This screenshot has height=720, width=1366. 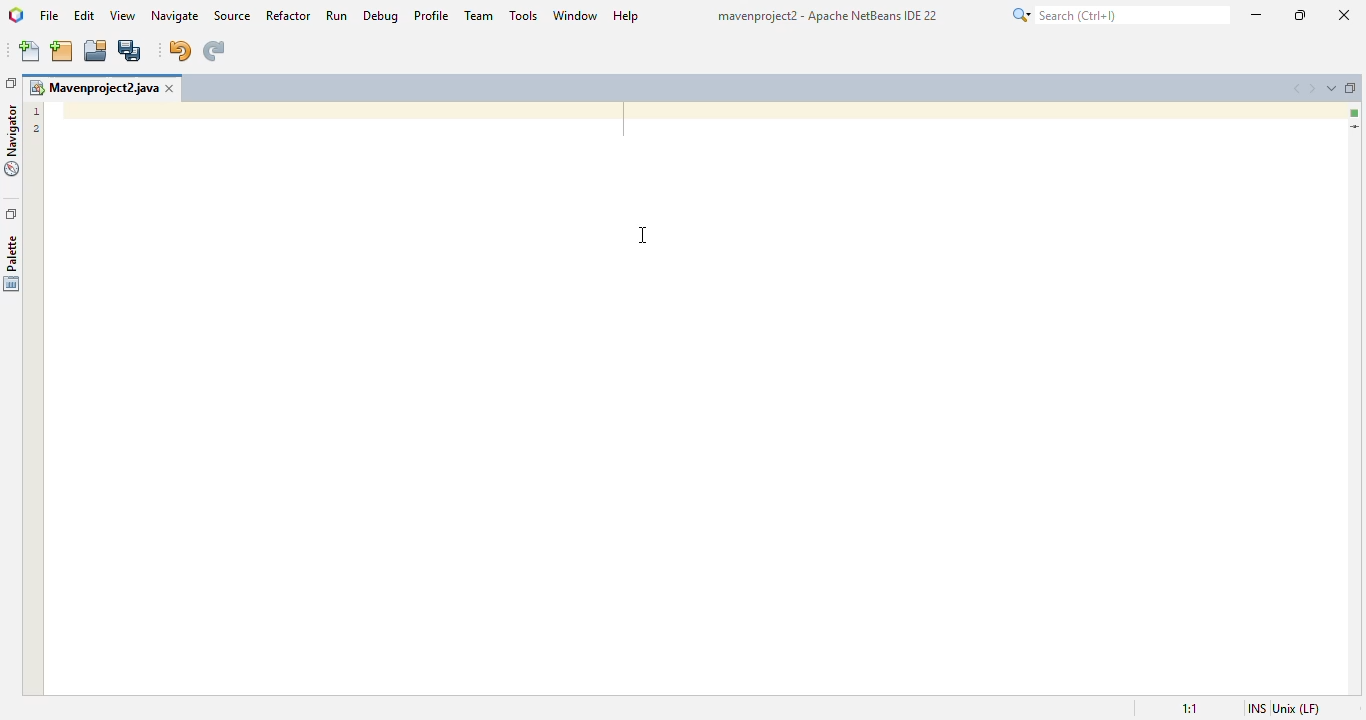 I want to click on navigator window, so click(x=12, y=141).